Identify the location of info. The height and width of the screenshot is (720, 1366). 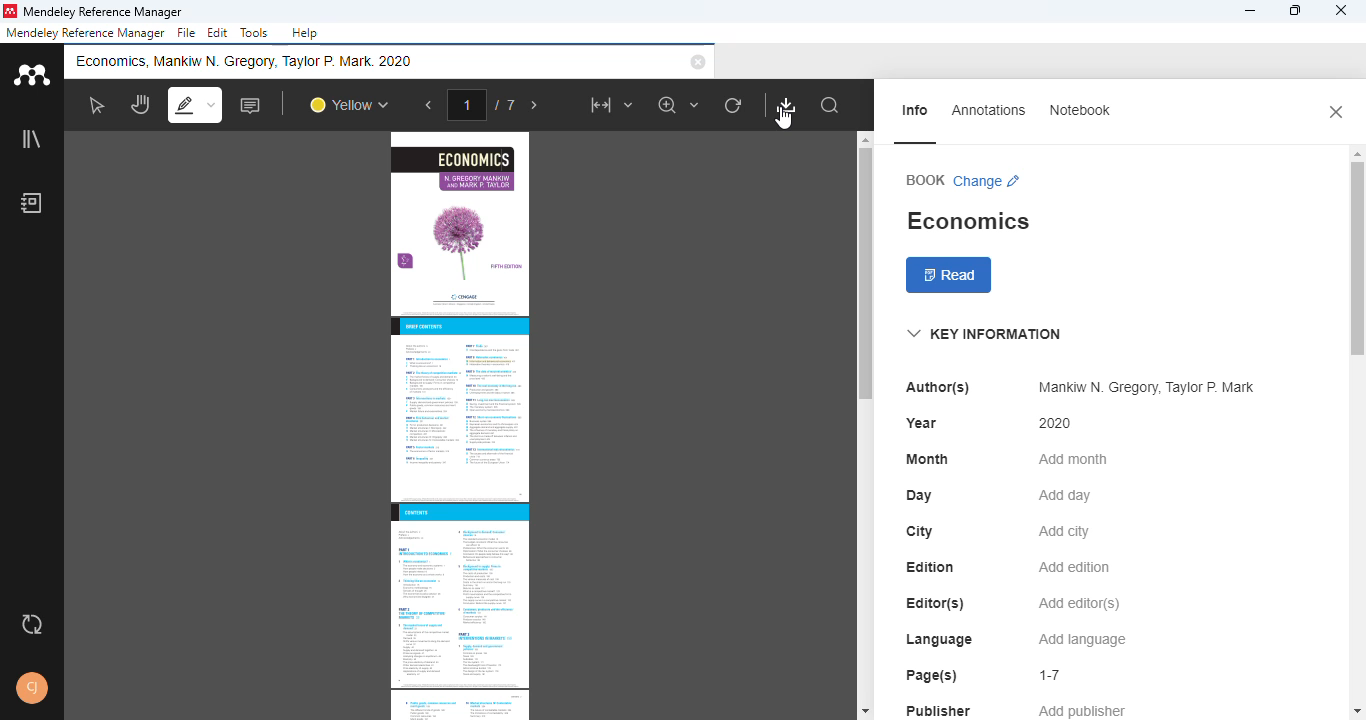
(917, 110).